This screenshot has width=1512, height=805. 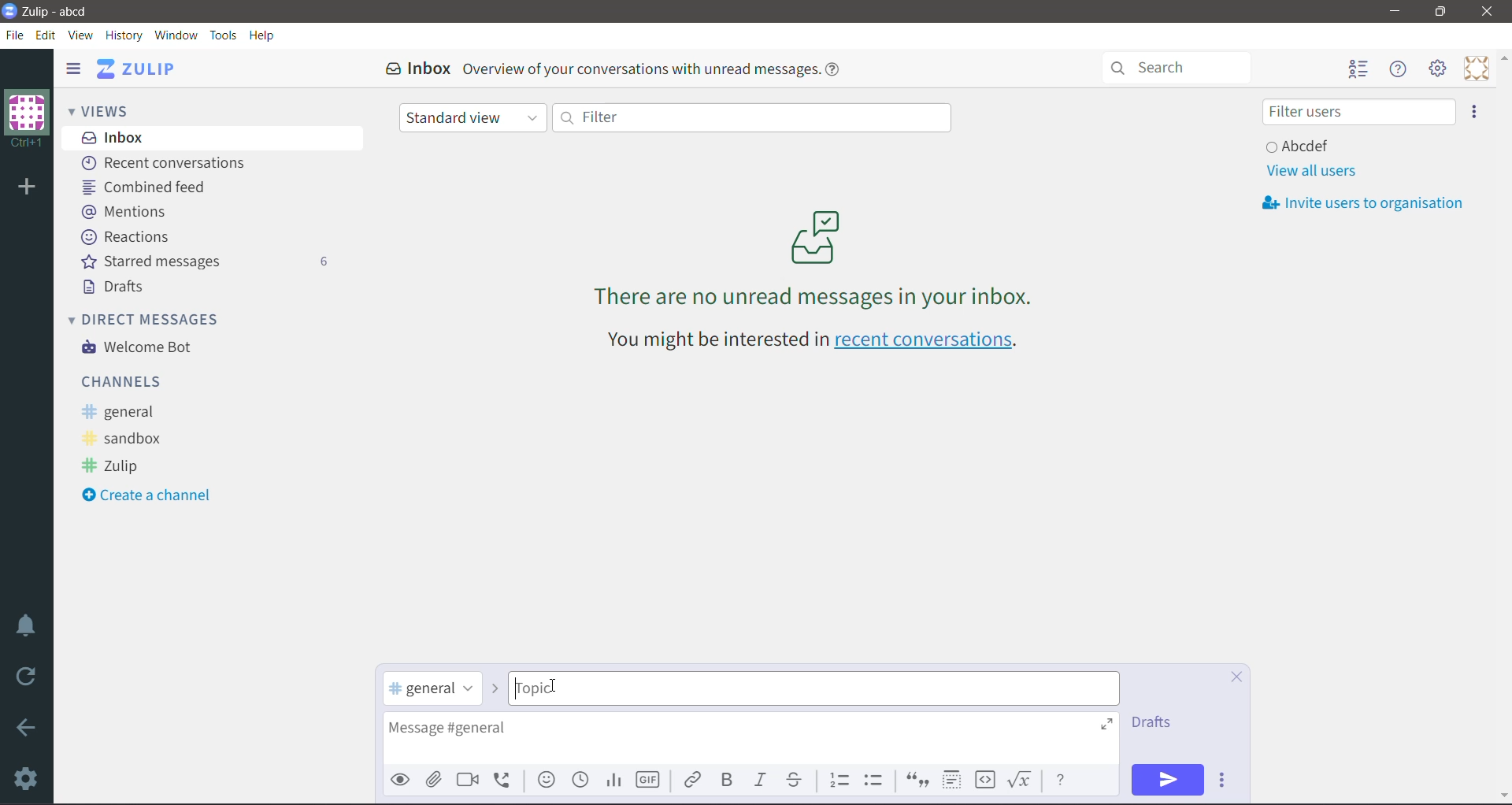 What do you see at coordinates (124, 210) in the screenshot?
I see `Mentions` at bounding box center [124, 210].